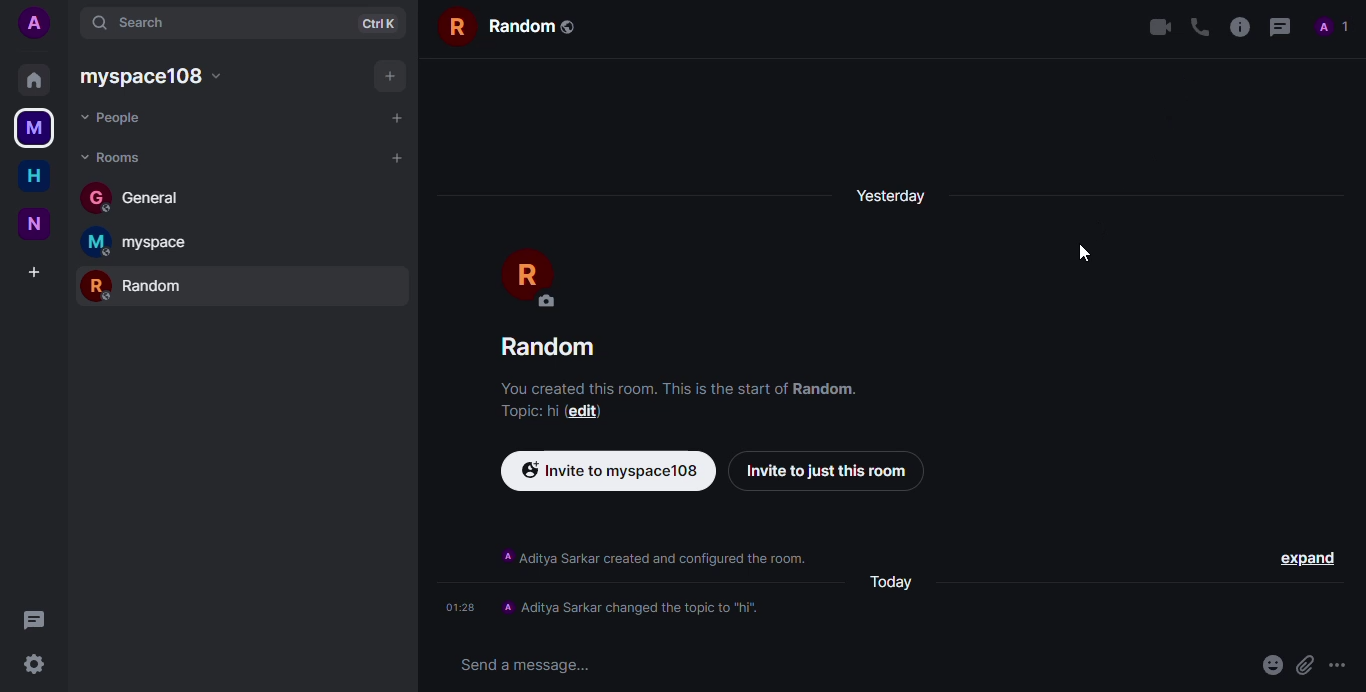  I want to click on video call, so click(1159, 26).